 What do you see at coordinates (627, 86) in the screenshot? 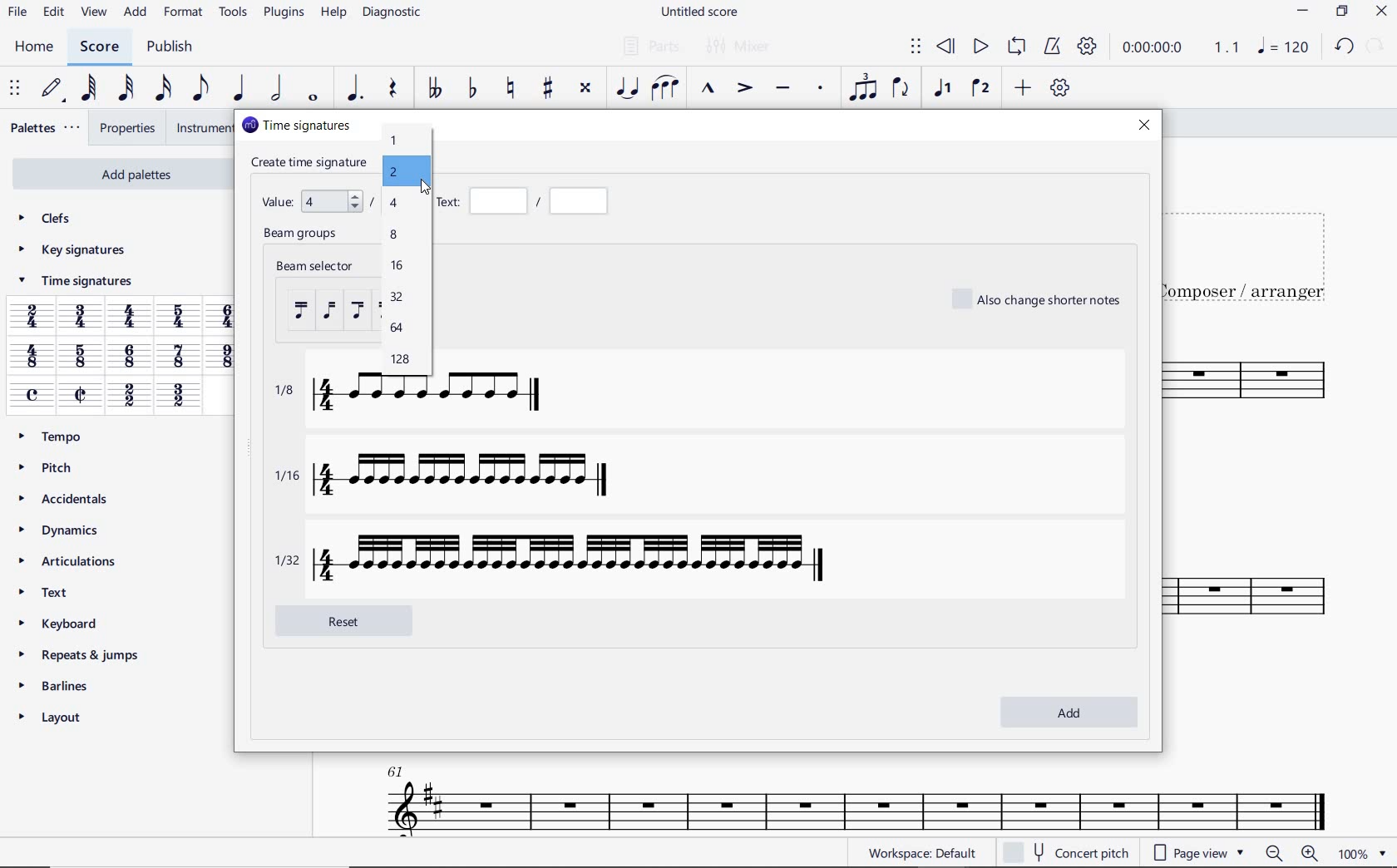
I see `TIE` at bounding box center [627, 86].